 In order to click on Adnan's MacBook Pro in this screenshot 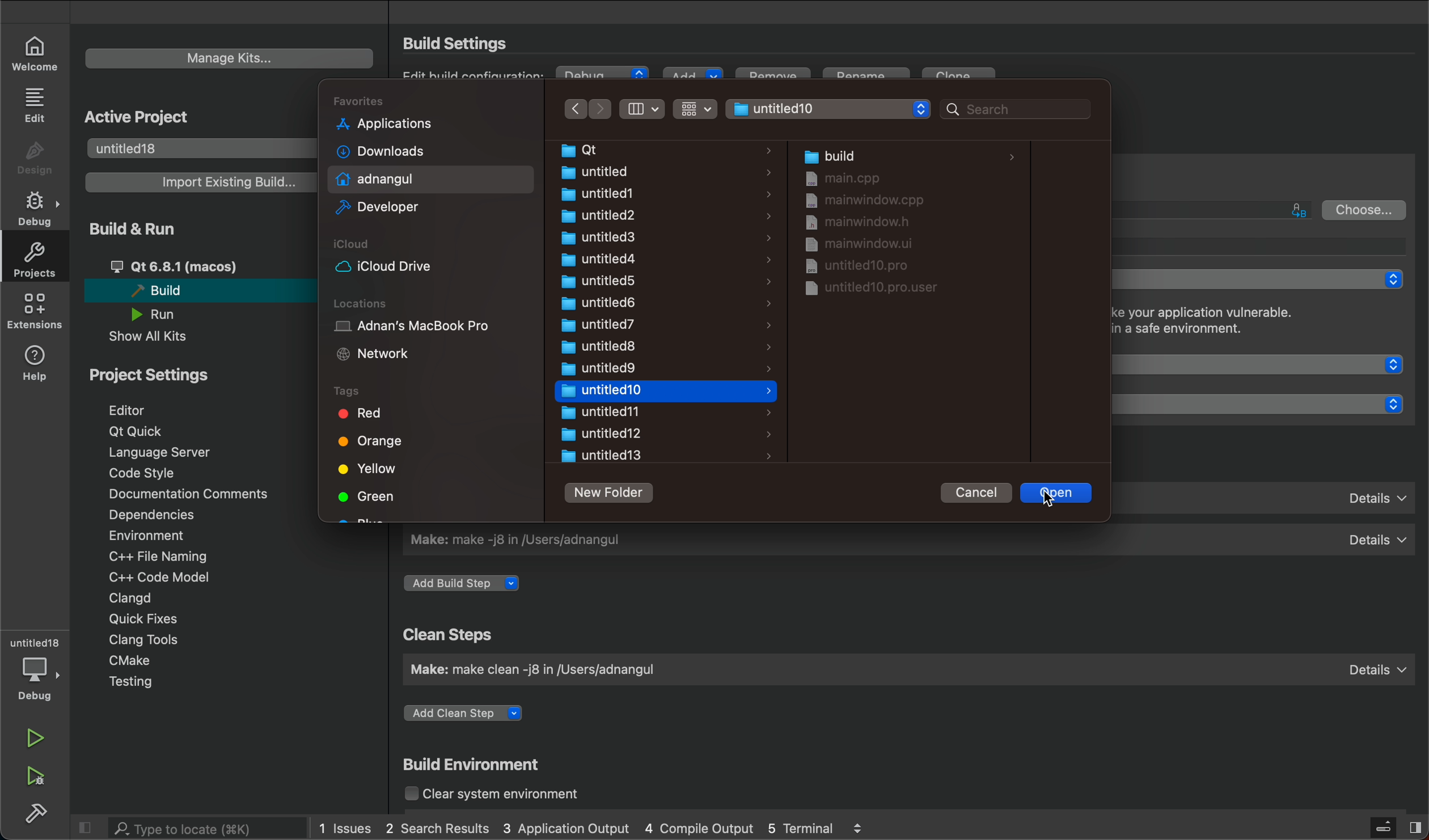, I will do `click(405, 325)`.